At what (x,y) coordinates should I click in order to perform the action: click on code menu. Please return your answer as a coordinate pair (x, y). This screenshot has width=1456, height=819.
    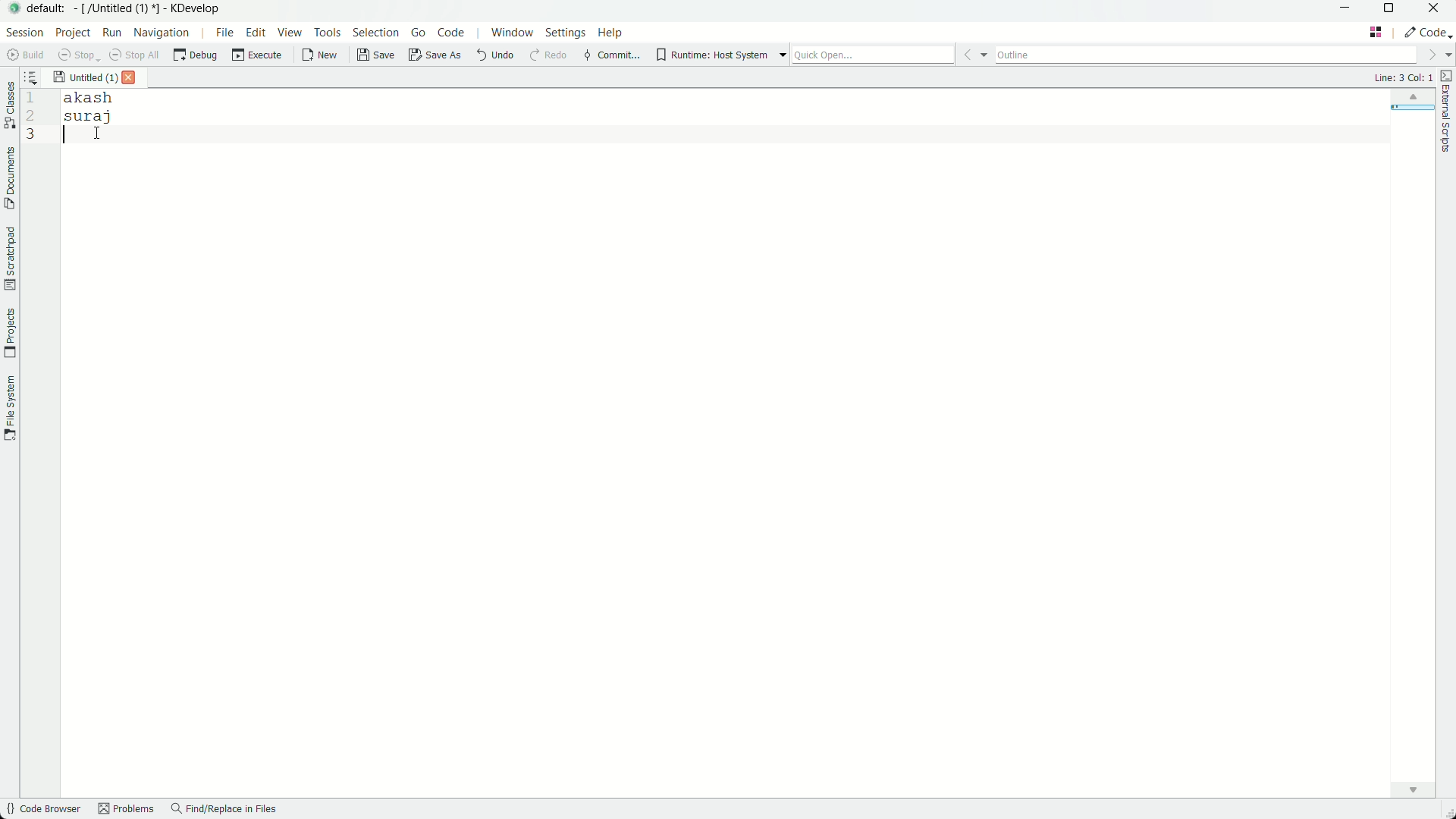
    Looking at the image, I should click on (450, 32).